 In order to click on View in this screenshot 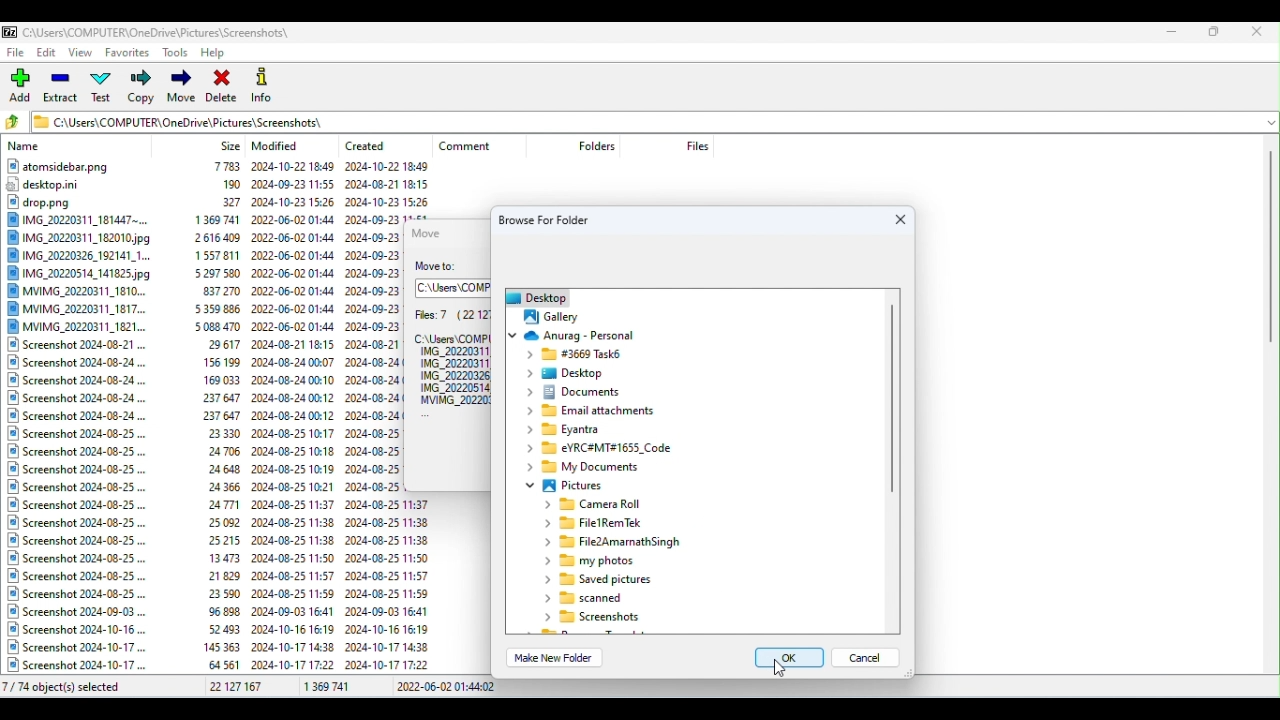, I will do `click(83, 54)`.